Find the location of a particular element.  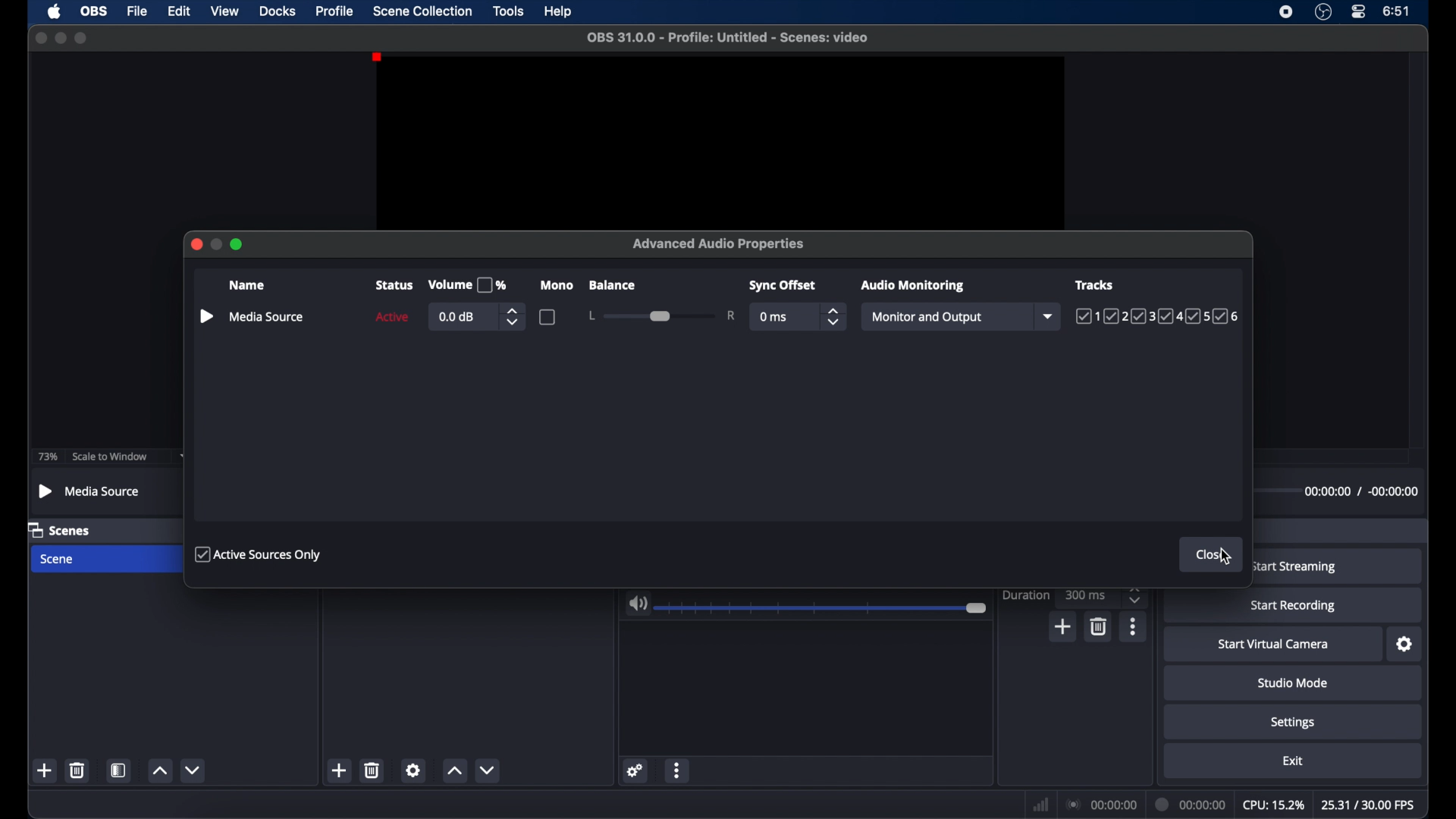

scene is located at coordinates (58, 560).